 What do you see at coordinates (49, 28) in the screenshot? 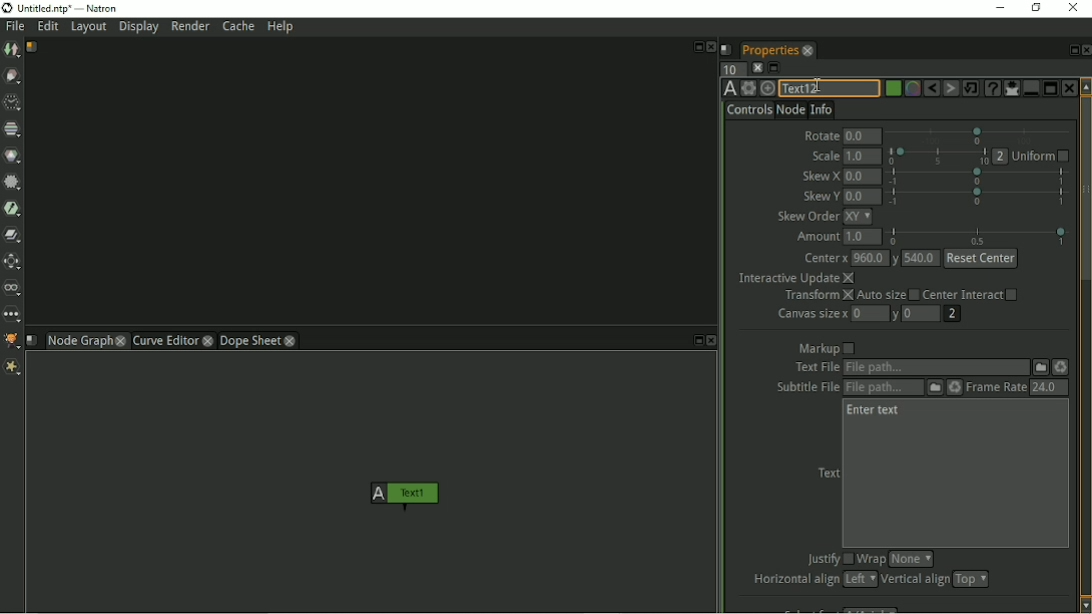
I see `Edit` at bounding box center [49, 28].